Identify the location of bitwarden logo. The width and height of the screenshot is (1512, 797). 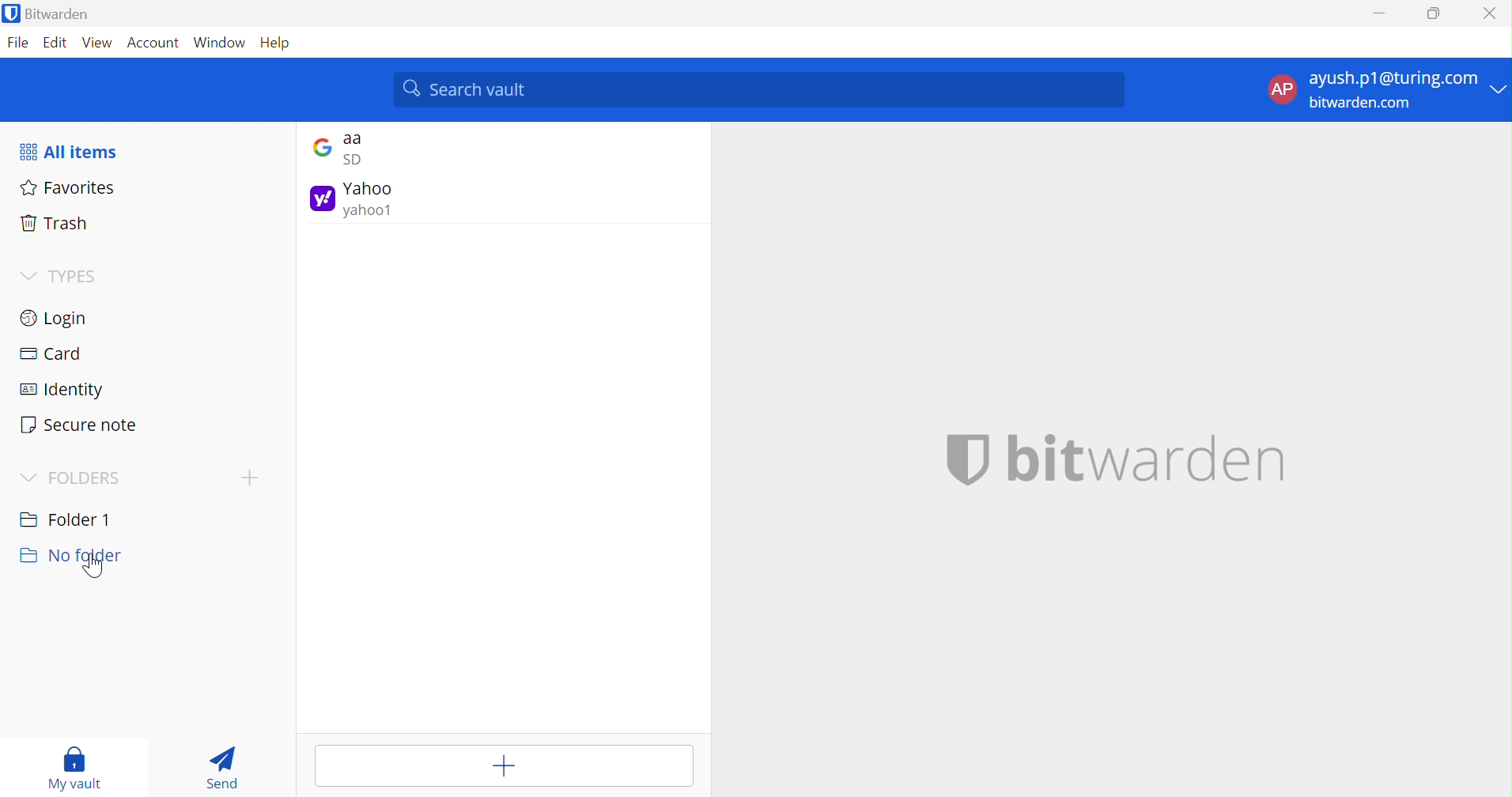
(962, 460).